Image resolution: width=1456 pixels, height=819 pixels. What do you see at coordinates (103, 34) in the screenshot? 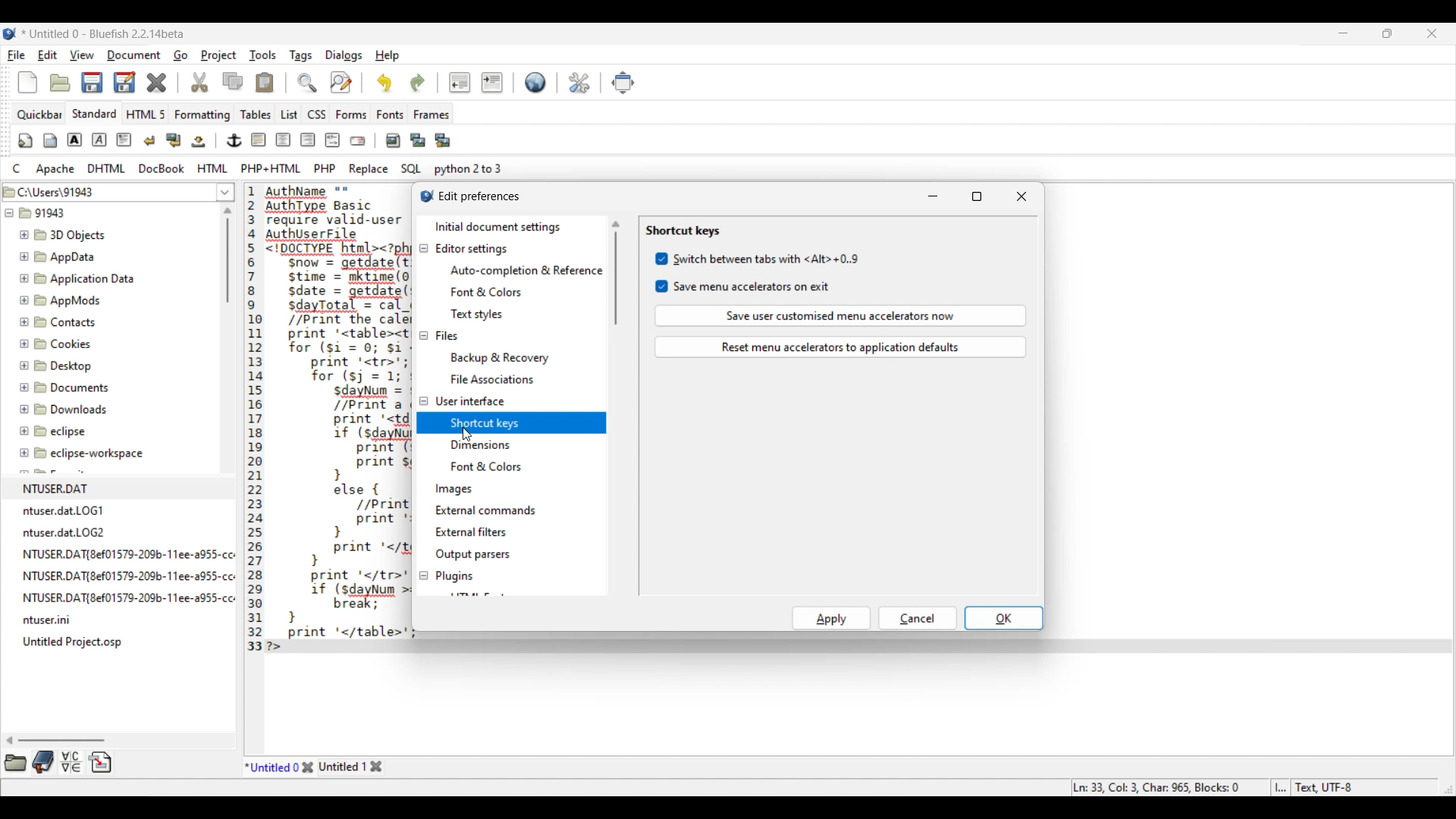
I see `Project name, software name and version ` at bounding box center [103, 34].